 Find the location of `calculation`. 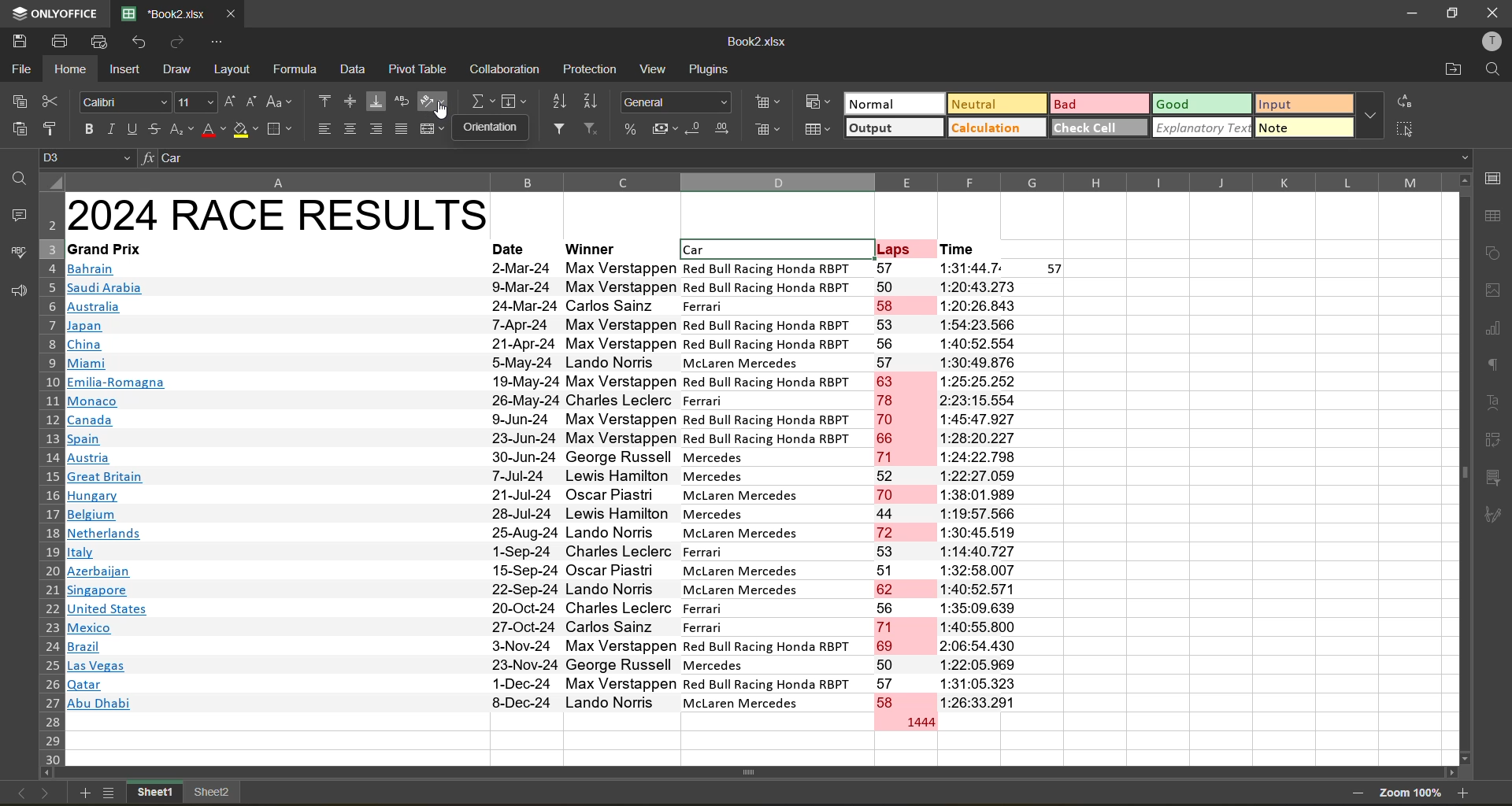

calculation is located at coordinates (998, 128).